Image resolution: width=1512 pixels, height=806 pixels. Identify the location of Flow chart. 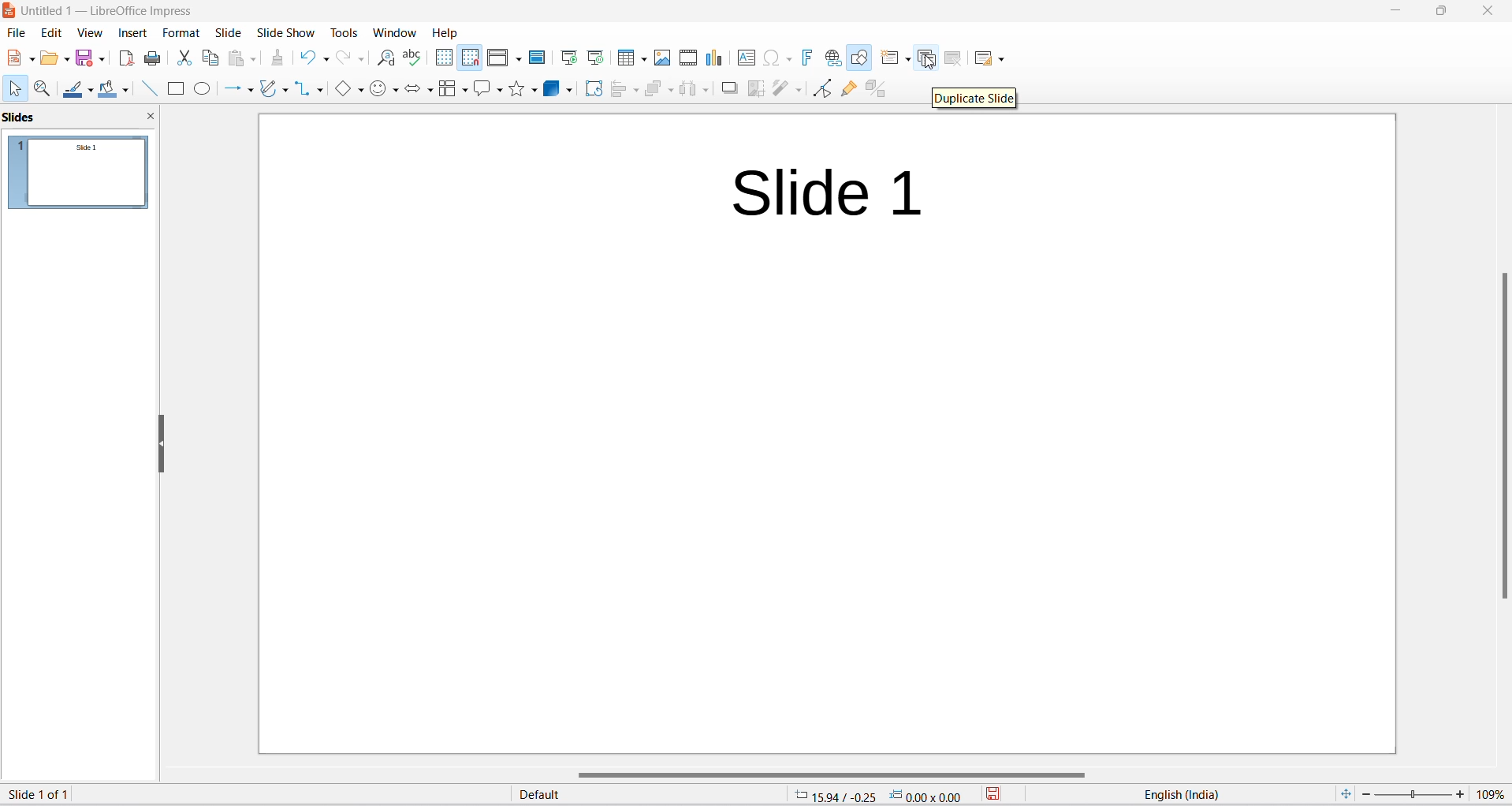
(453, 88).